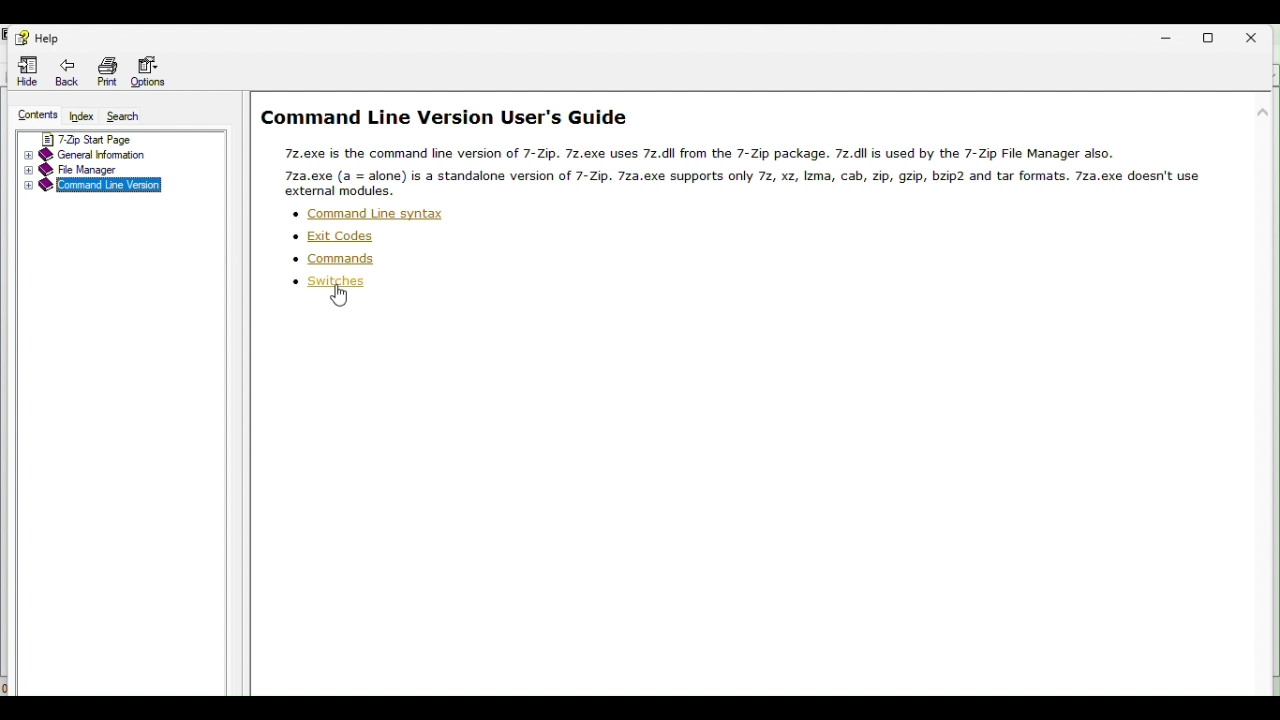 The width and height of the screenshot is (1280, 720). I want to click on 7-Zip File Manager. The 7-Zip File Manager is a program for manipulating files and folders. The 7-Zip File Manager can work with two panels. You can switch between panels by pressing the Tab button. Most of the operations can be executed using keyboard shortcuts or by right-clicking on items and selecting the appropriate command from menu., so click(774, 169).